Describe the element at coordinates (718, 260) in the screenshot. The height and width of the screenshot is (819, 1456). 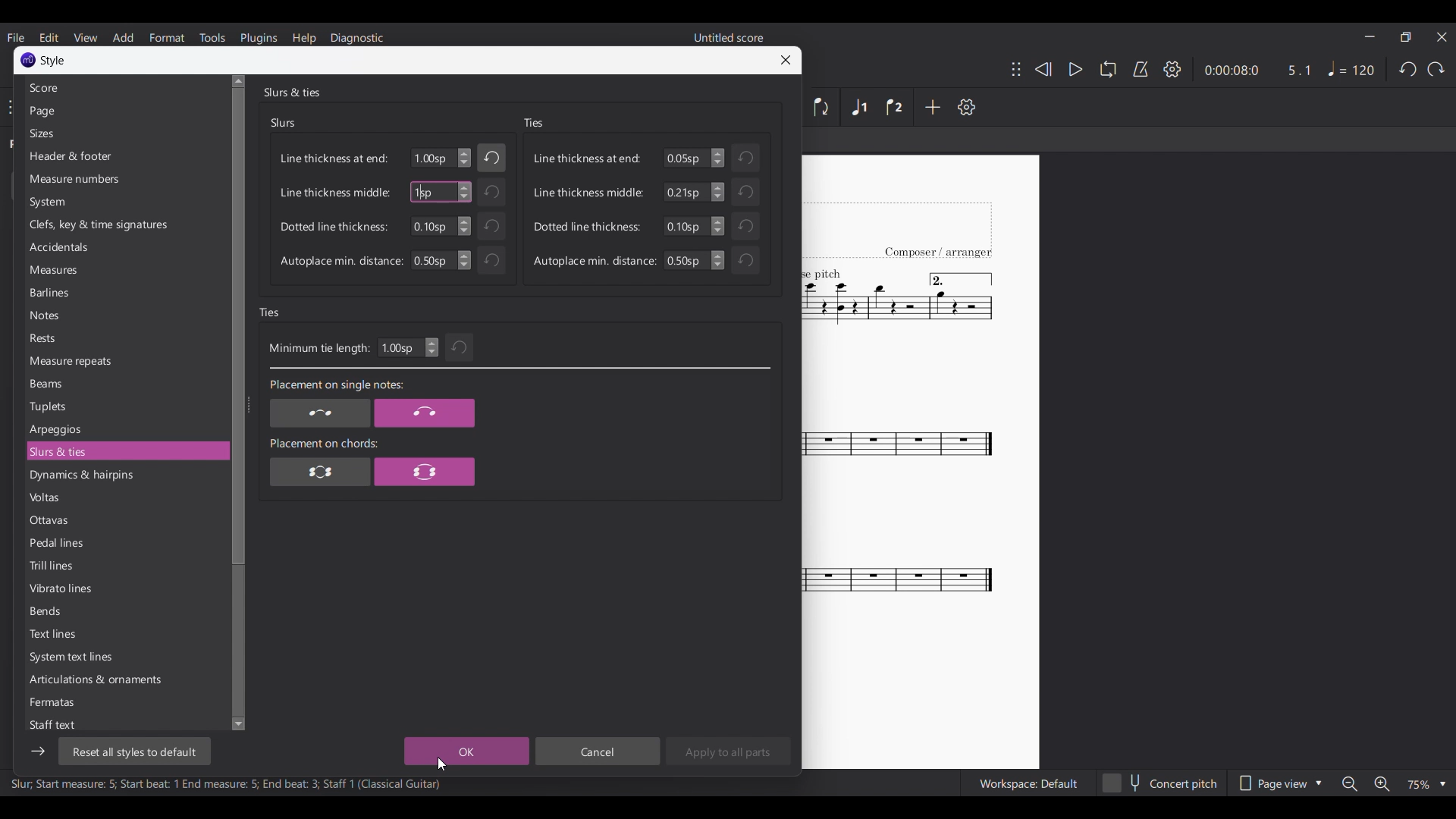
I see `Change autoplace min. distance` at that location.